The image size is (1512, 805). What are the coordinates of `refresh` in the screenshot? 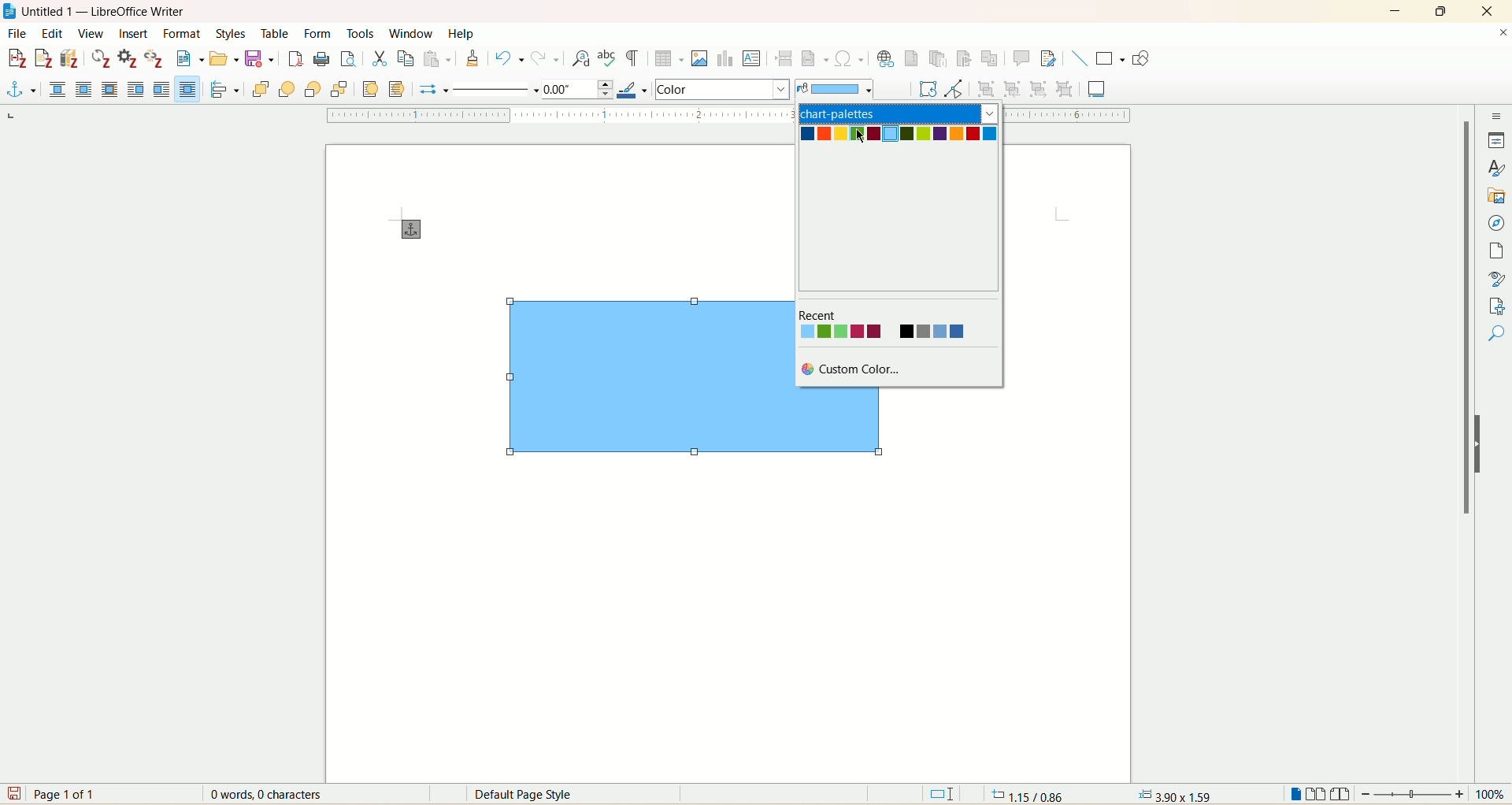 It's located at (101, 58).